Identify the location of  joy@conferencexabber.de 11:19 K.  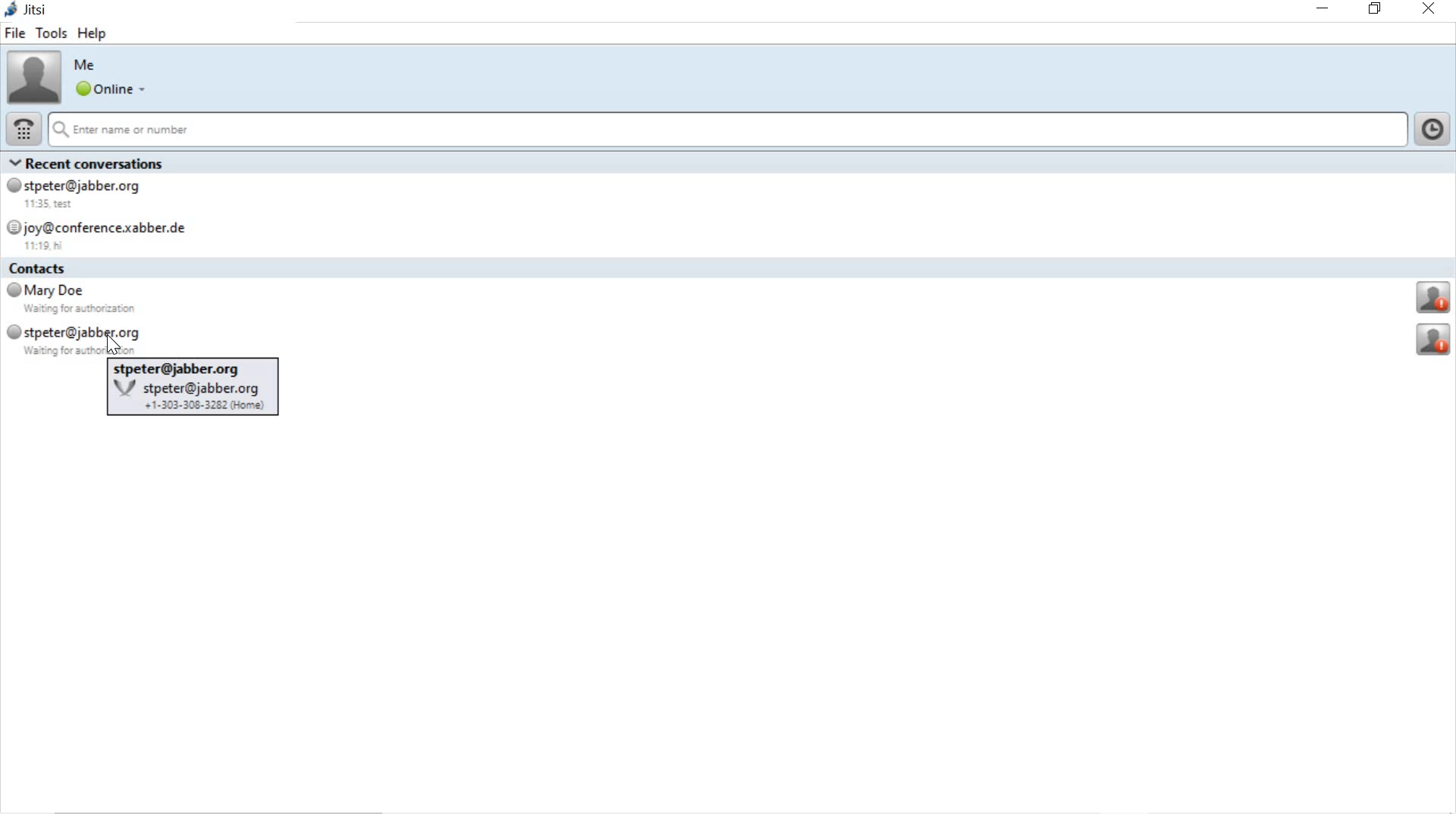
(110, 233).